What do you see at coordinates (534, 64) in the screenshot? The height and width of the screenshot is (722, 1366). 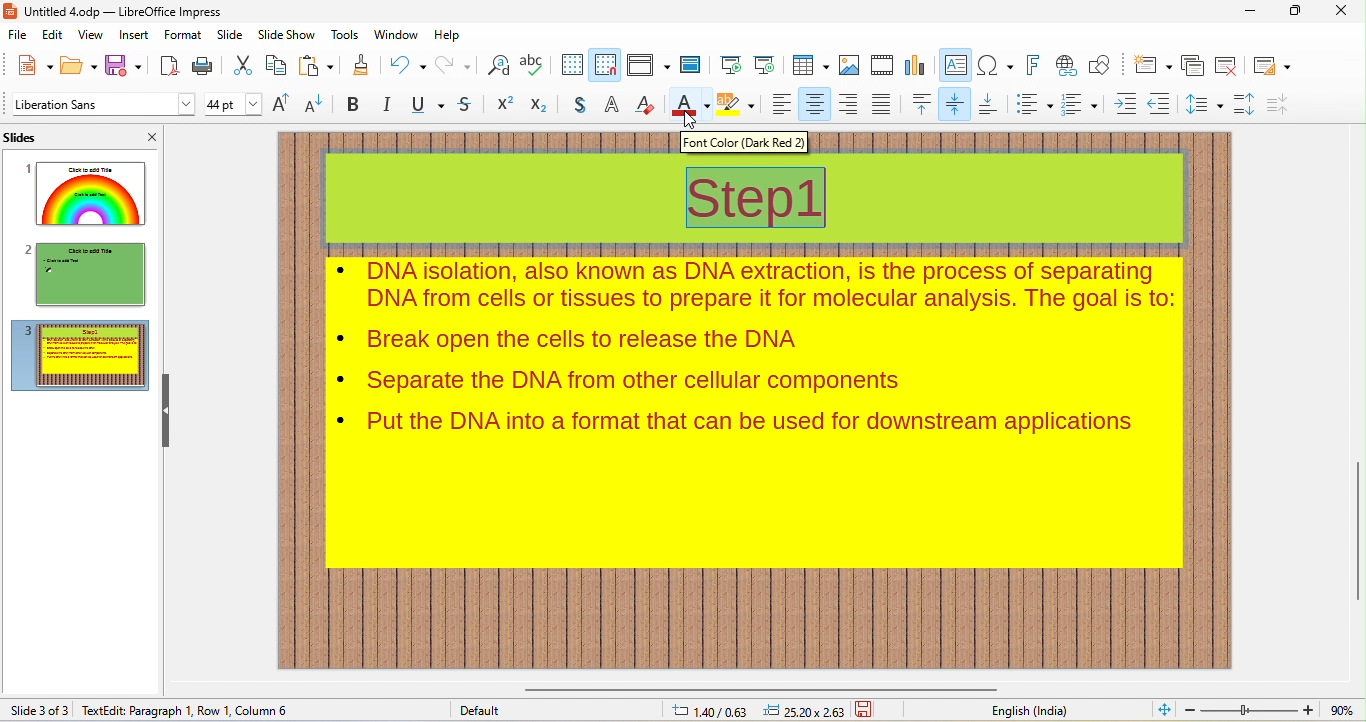 I see `spelling` at bounding box center [534, 64].